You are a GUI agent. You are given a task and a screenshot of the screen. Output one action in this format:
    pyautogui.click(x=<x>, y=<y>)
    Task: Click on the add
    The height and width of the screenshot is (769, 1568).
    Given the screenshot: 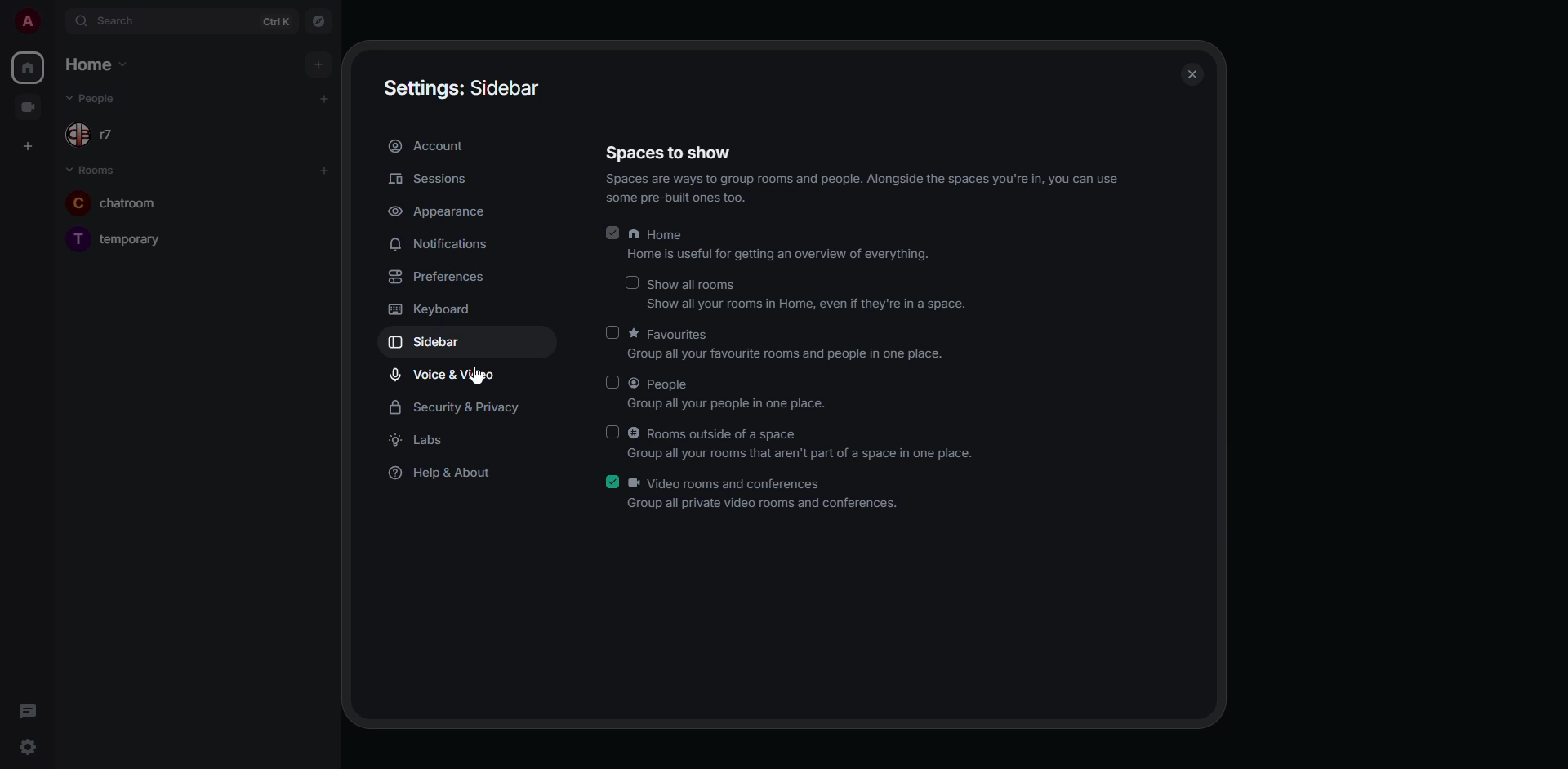 What is the action you would take?
    pyautogui.click(x=327, y=172)
    